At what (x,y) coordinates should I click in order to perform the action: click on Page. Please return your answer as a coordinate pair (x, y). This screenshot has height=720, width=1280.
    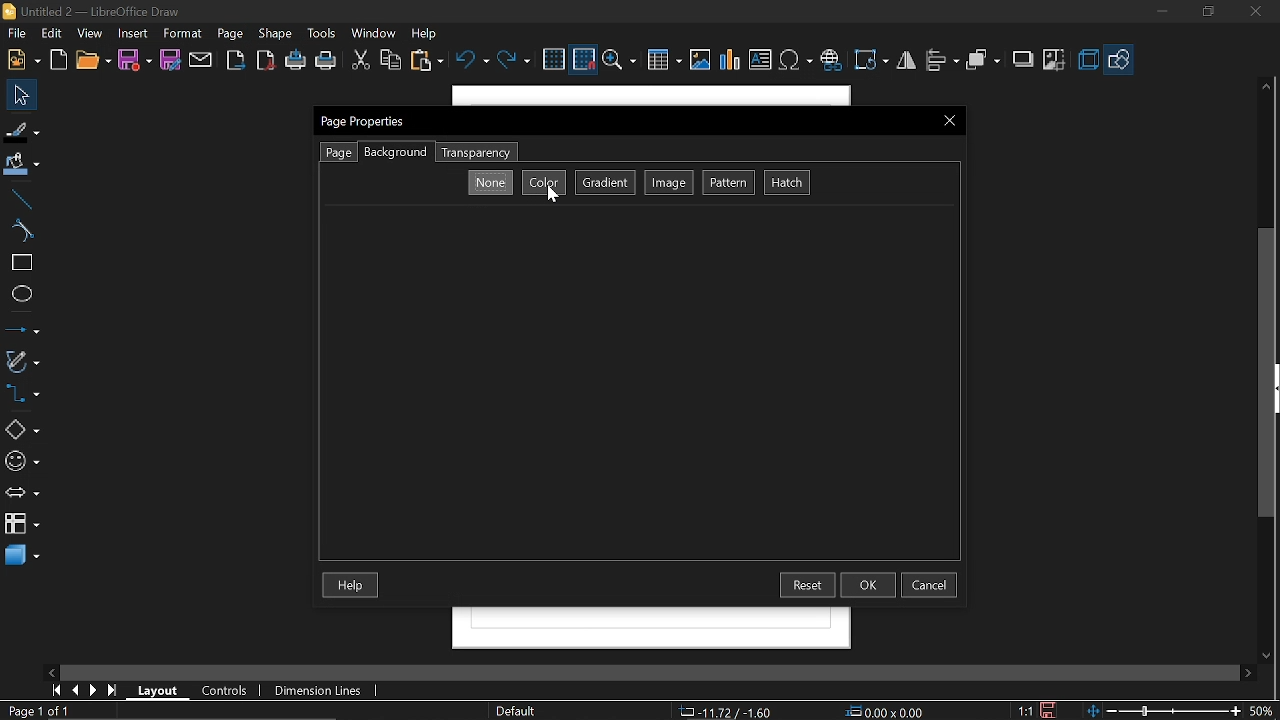
    Looking at the image, I should click on (230, 35).